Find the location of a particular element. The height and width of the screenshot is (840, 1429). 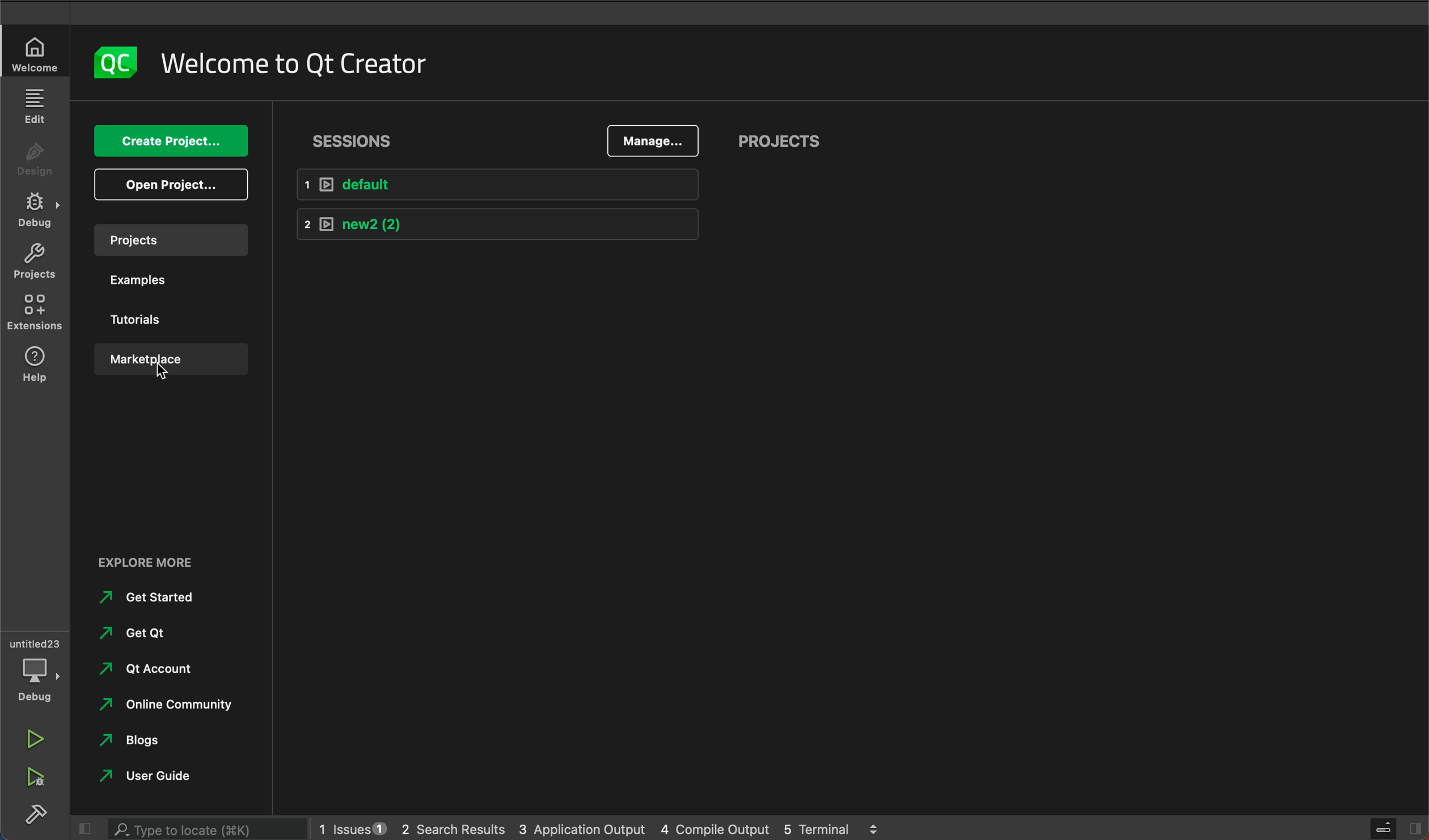

 is located at coordinates (150, 668).